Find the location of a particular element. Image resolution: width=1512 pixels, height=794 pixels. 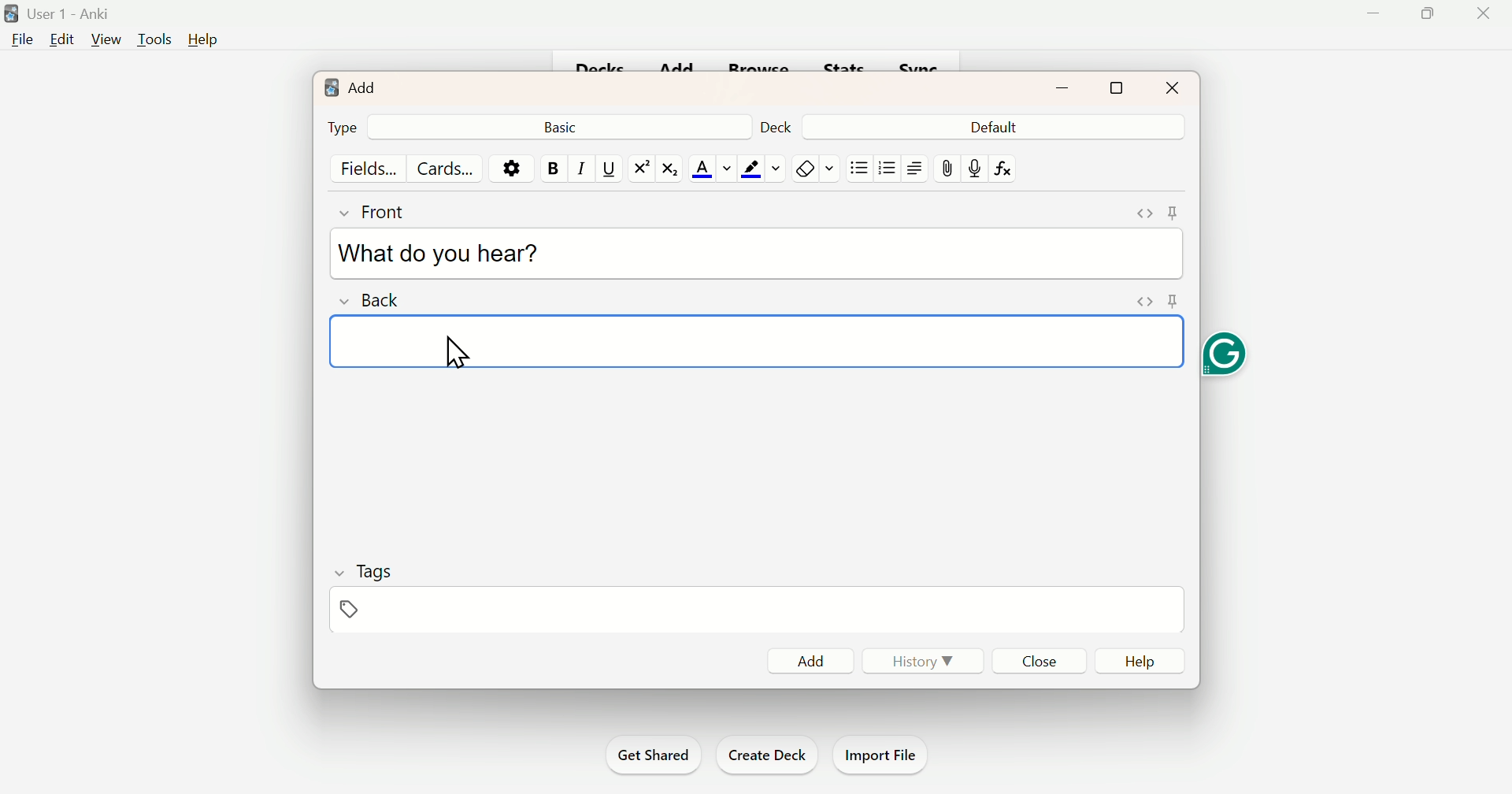

Tags is located at coordinates (378, 570).